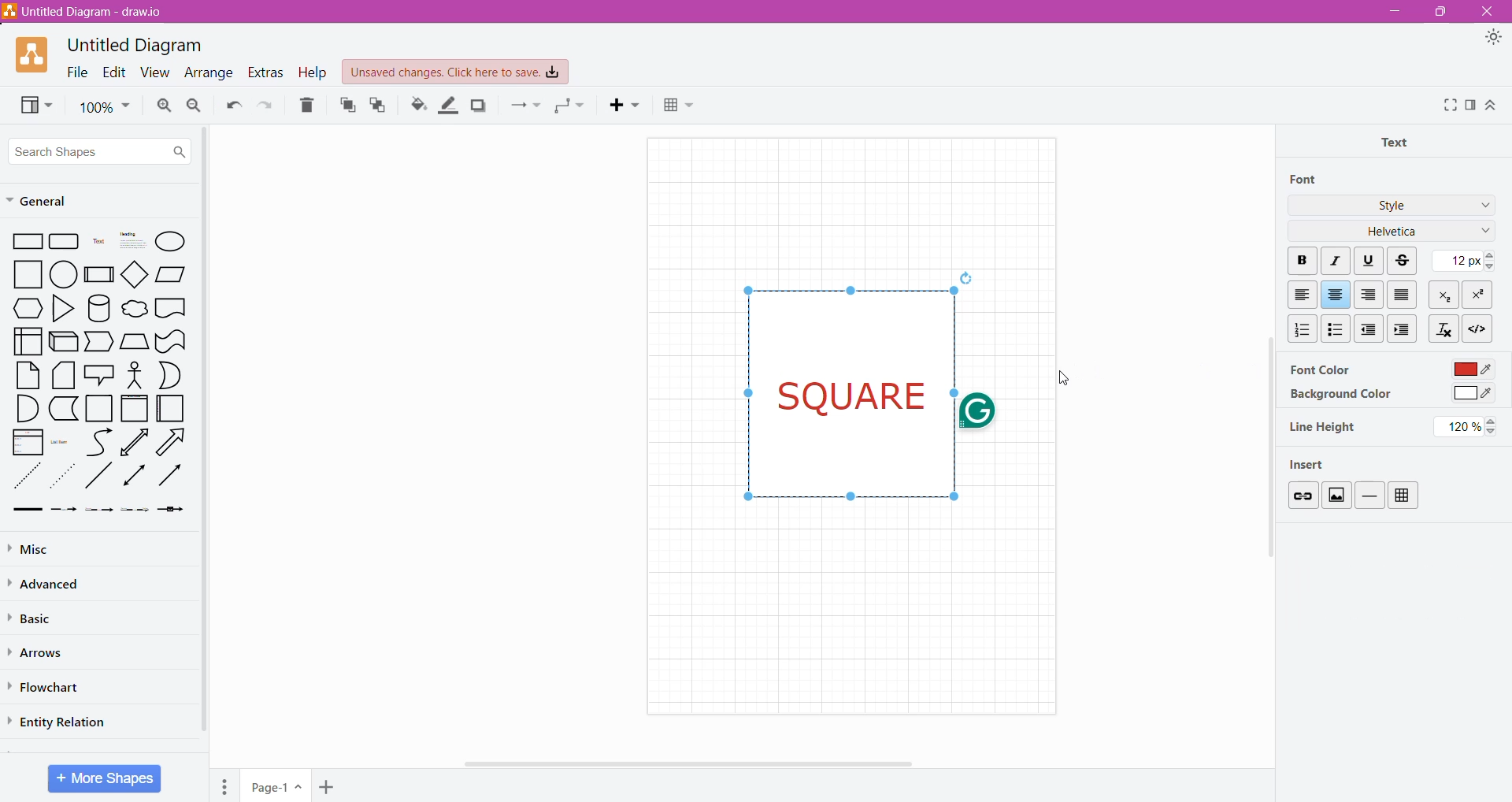 This screenshot has width=1512, height=802. Describe the element at coordinates (1314, 463) in the screenshot. I see `Insert` at that location.